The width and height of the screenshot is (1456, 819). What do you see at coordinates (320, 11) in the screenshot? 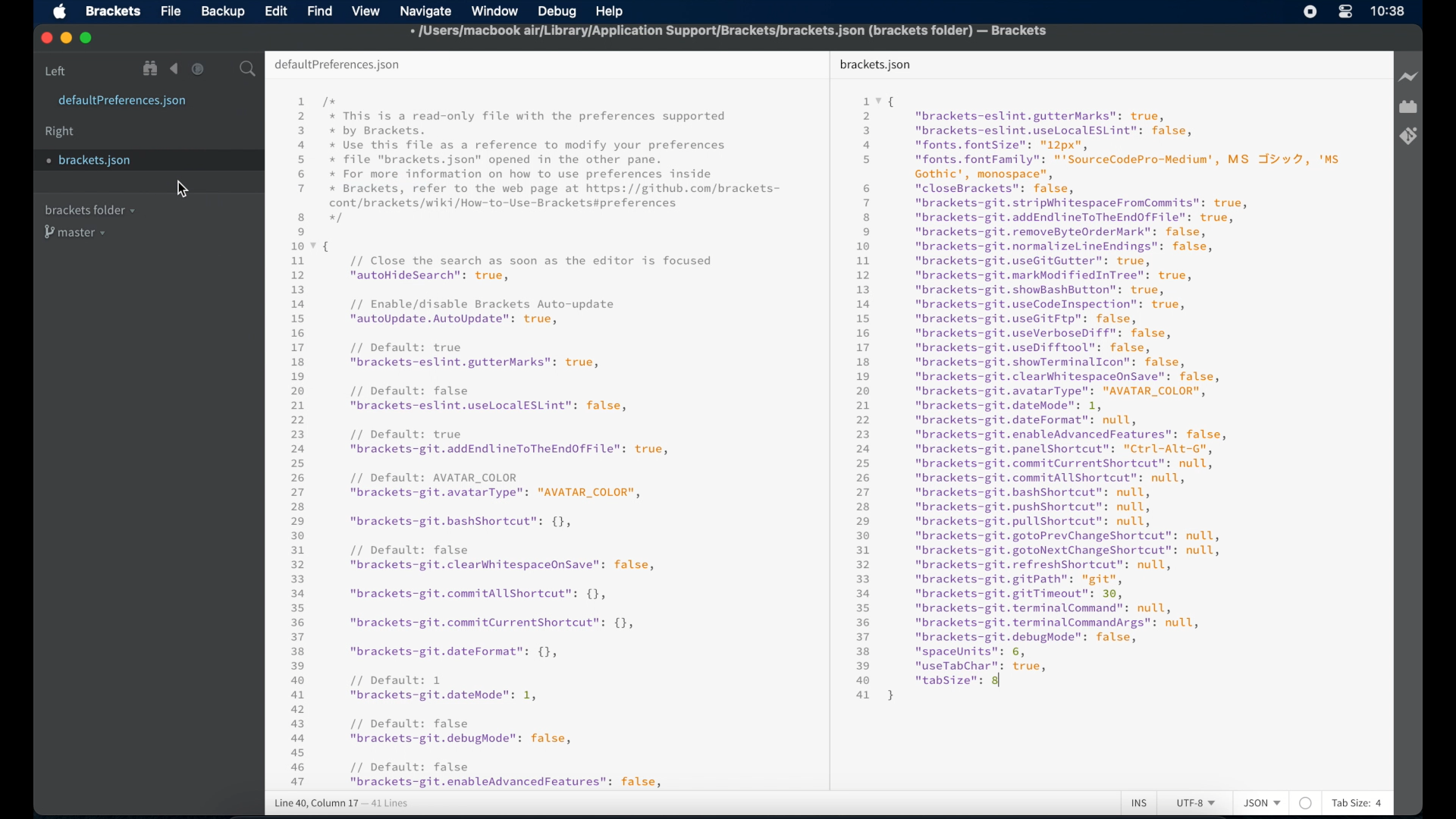
I see `find` at bounding box center [320, 11].